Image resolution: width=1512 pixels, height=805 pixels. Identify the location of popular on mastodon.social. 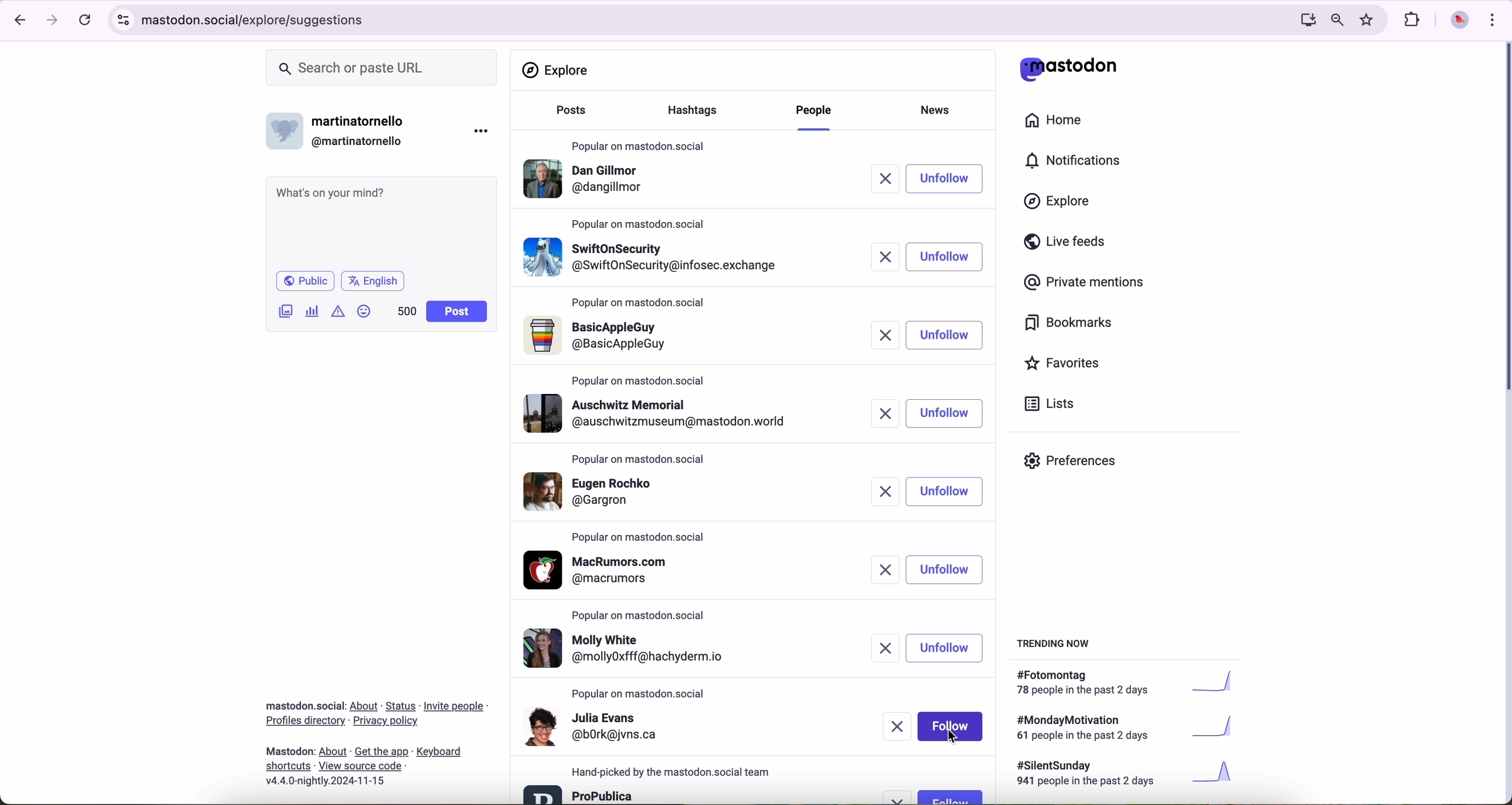
(640, 304).